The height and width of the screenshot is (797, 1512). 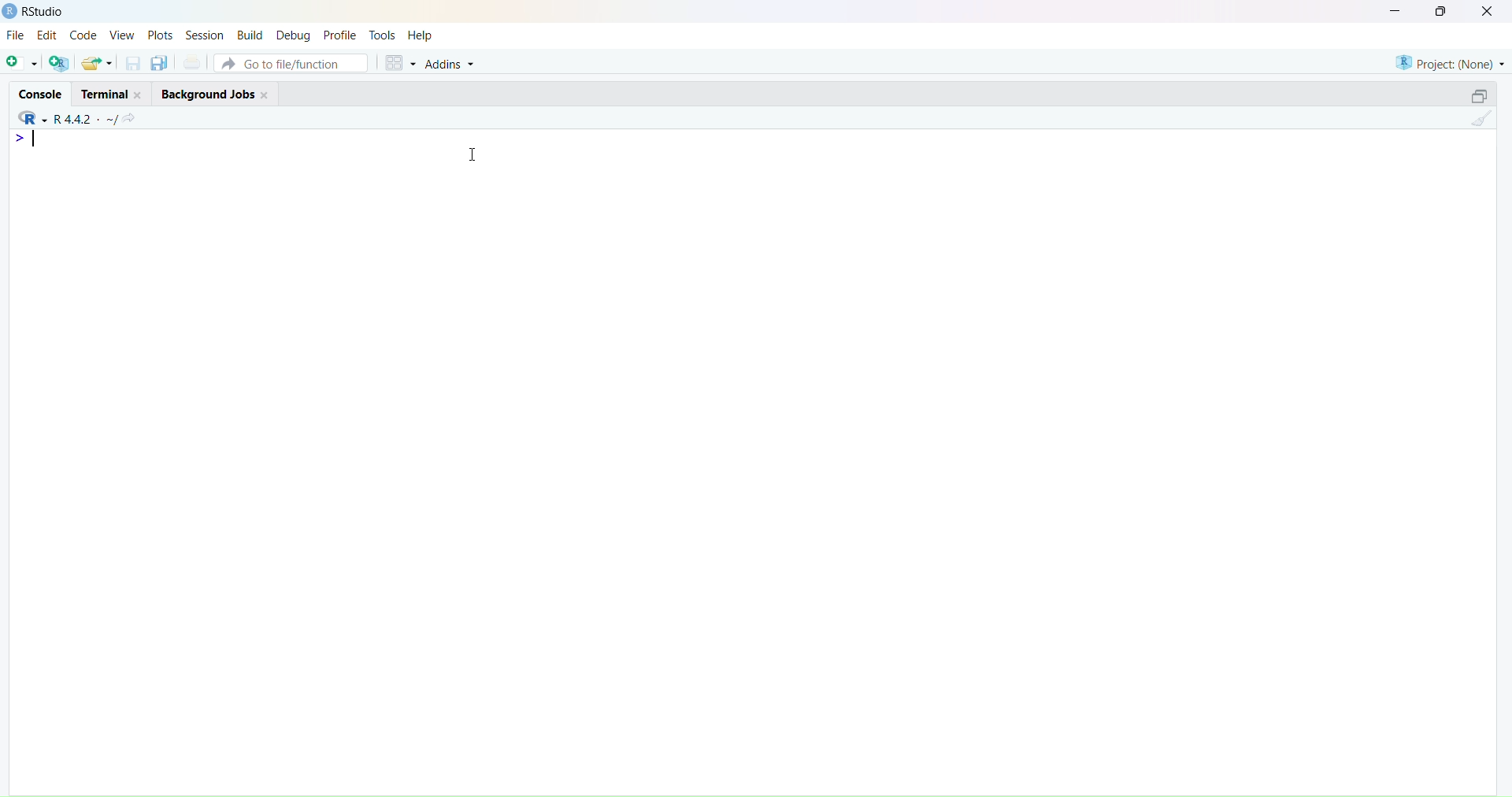 I want to click on project (none), so click(x=1451, y=63).